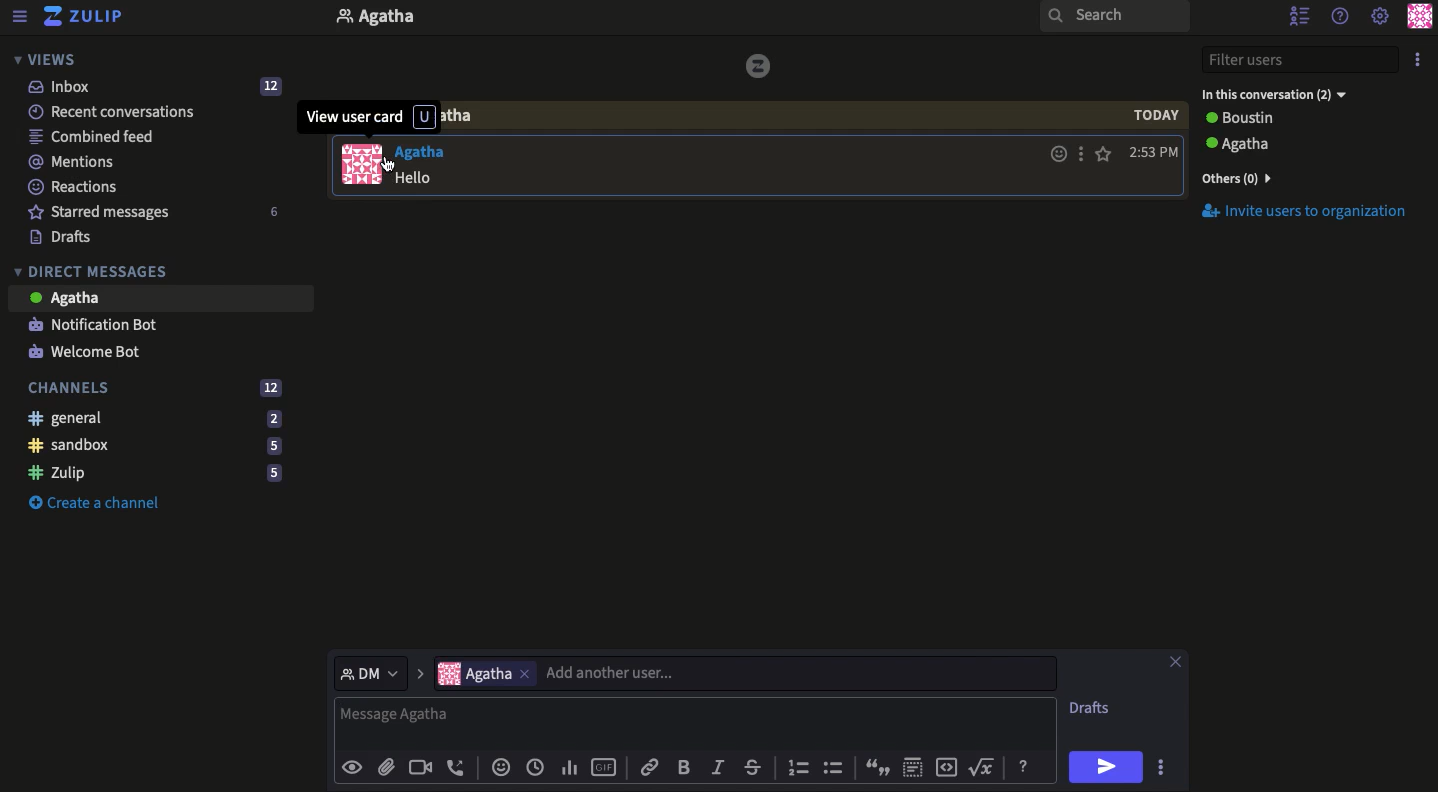  Describe the element at coordinates (77, 163) in the screenshot. I see `Mentions` at that location.